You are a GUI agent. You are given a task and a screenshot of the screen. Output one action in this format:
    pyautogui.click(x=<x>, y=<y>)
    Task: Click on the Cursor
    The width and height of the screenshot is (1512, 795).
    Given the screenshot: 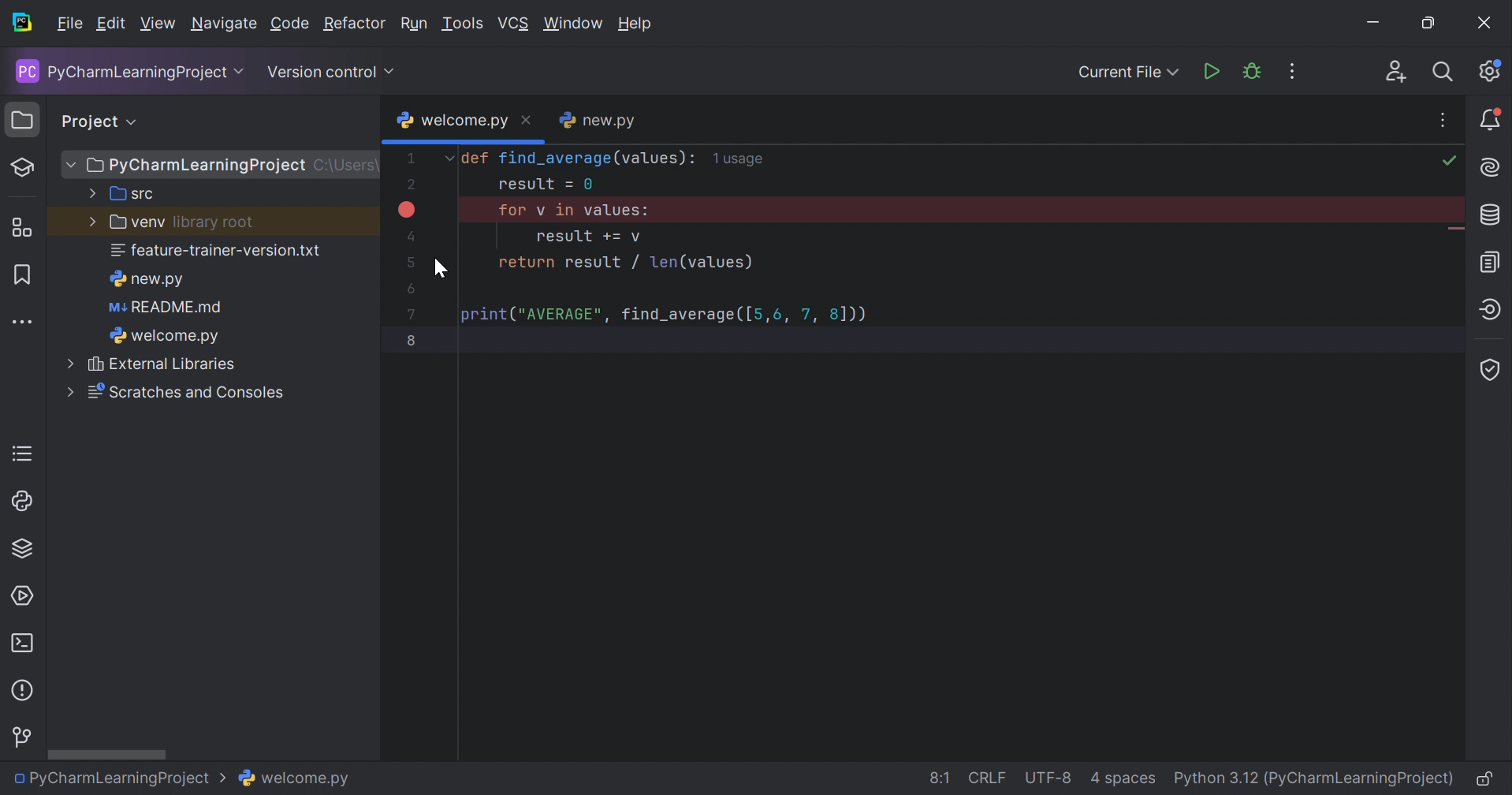 What is the action you would take?
    pyautogui.click(x=441, y=269)
    